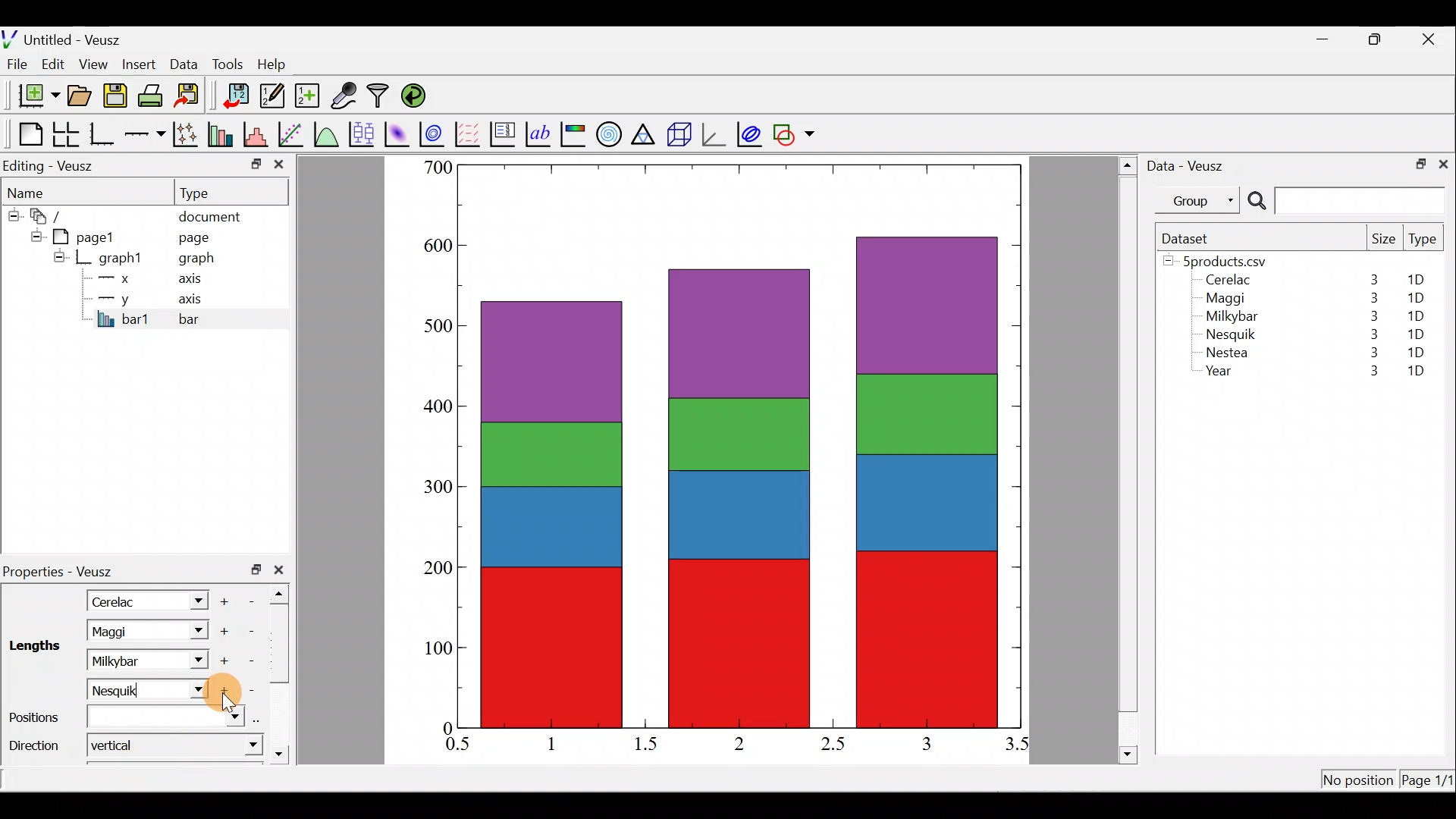 Image resolution: width=1456 pixels, height=819 pixels. What do you see at coordinates (1412, 315) in the screenshot?
I see `1D` at bounding box center [1412, 315].